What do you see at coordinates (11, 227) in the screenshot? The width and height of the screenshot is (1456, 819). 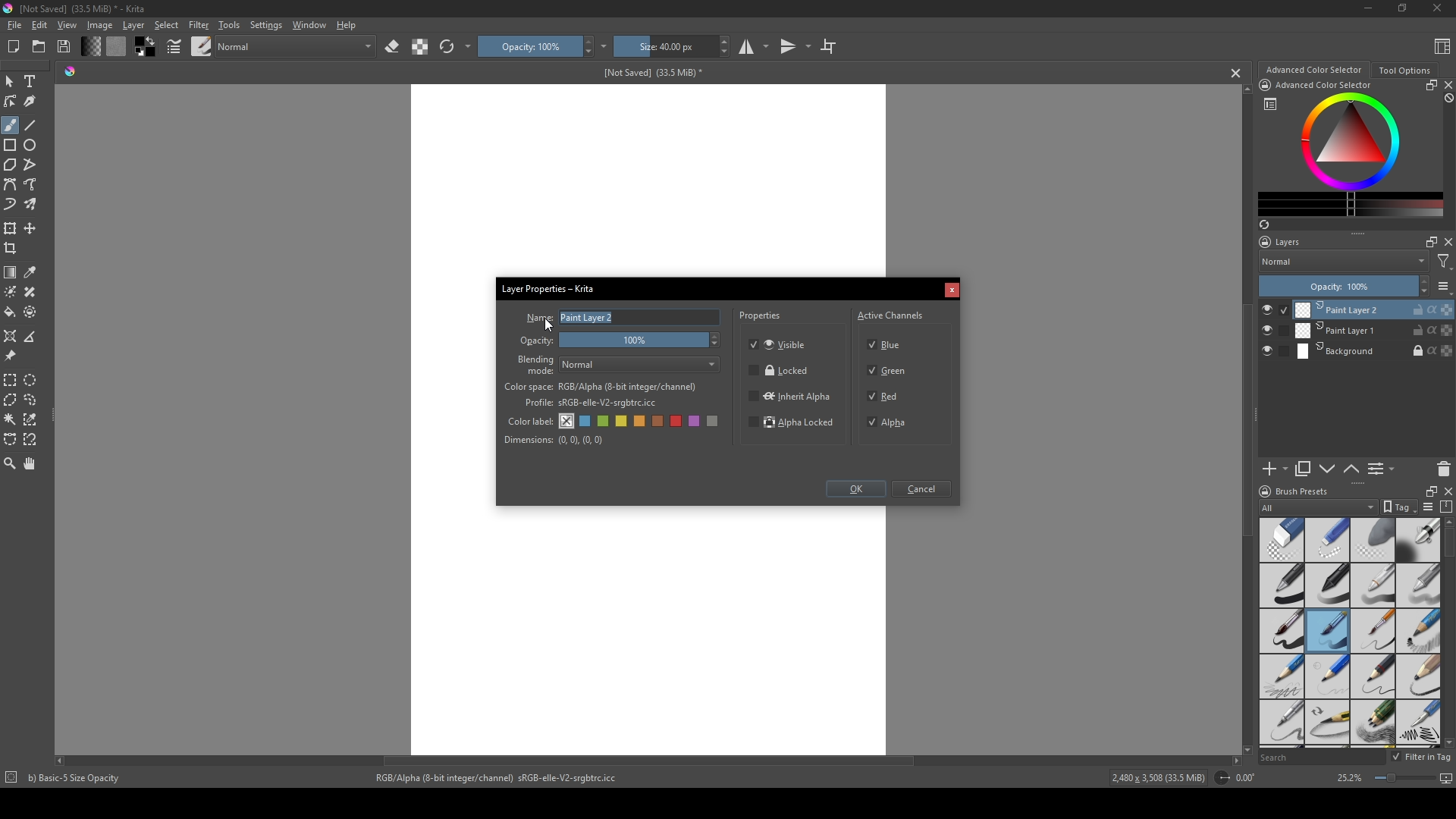 I see `transform` at bounding box center [11, 227].